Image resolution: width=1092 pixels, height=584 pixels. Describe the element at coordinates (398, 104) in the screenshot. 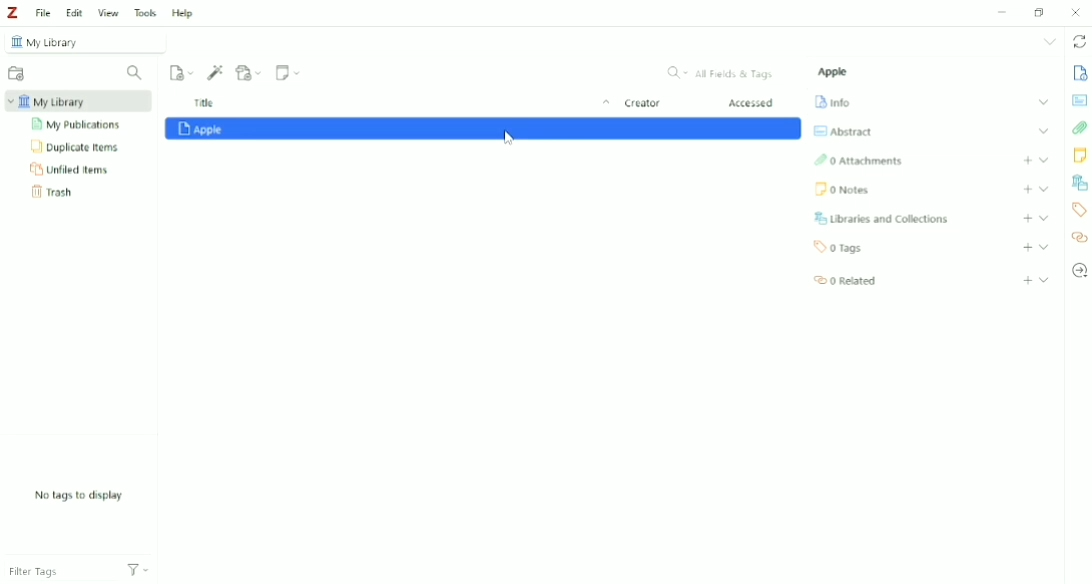

I see `Title` at that location.